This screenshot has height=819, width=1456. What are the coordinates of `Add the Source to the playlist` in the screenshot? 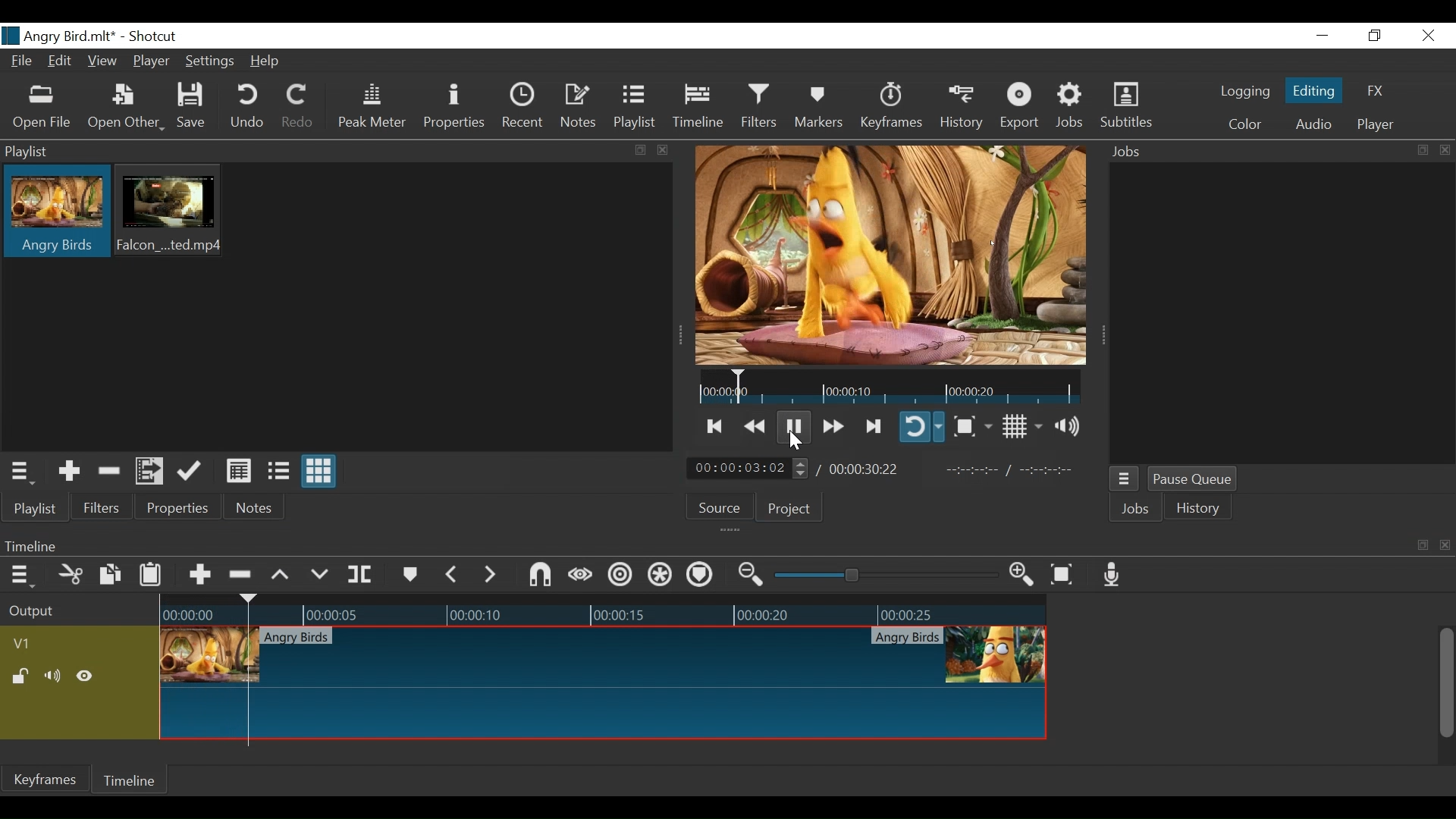 It's located at (67, 471).